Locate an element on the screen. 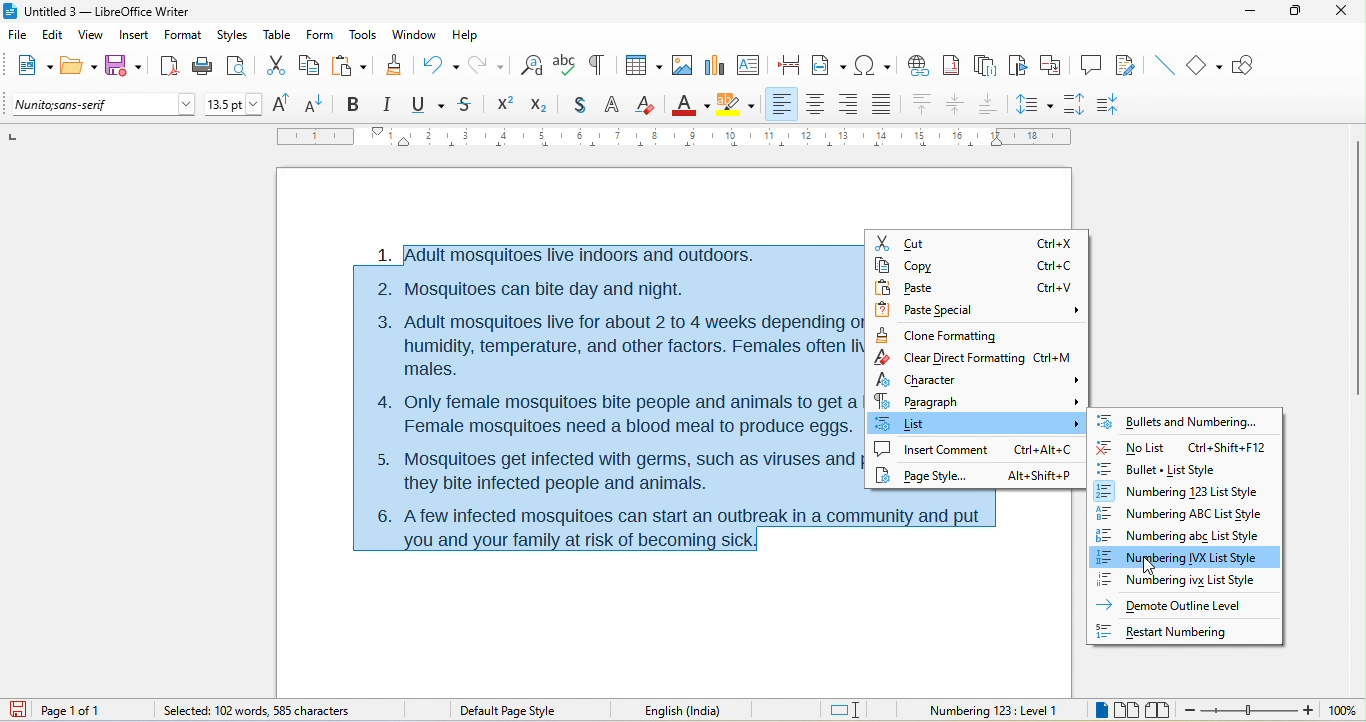  numbering ivx list style is located at coordinates (1186, 558).